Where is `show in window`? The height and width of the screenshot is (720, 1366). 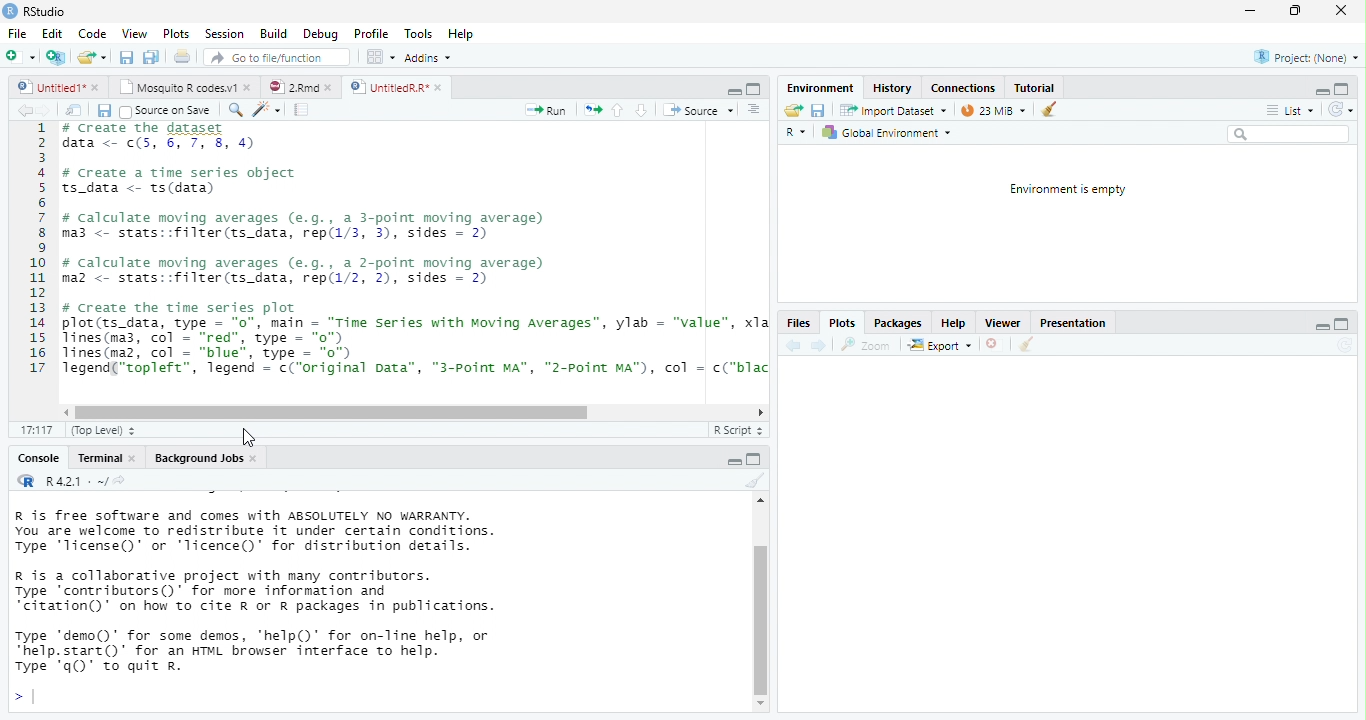 show in window is located at coordinates (75, 110).